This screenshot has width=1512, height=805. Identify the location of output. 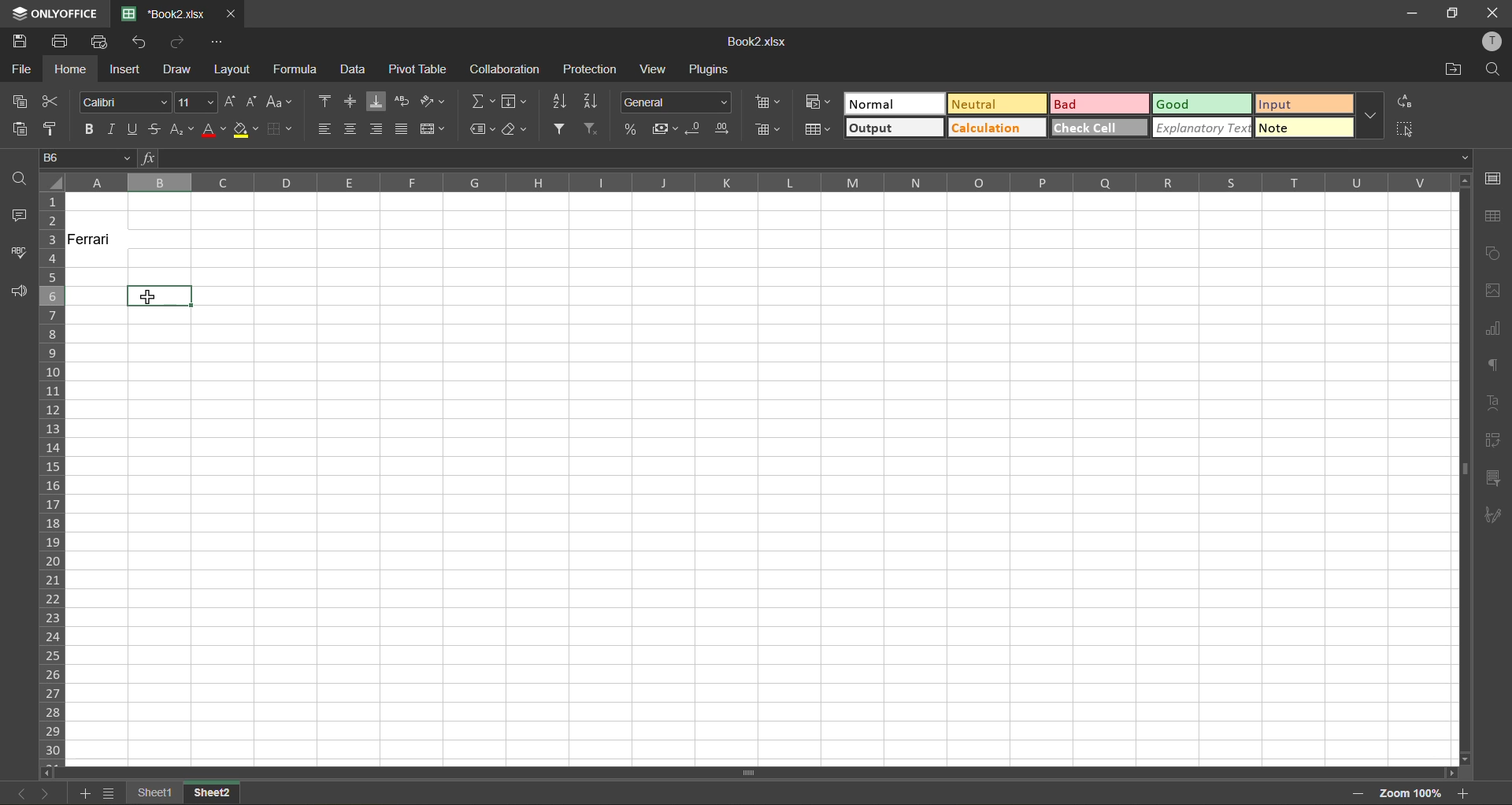
(895, 128).